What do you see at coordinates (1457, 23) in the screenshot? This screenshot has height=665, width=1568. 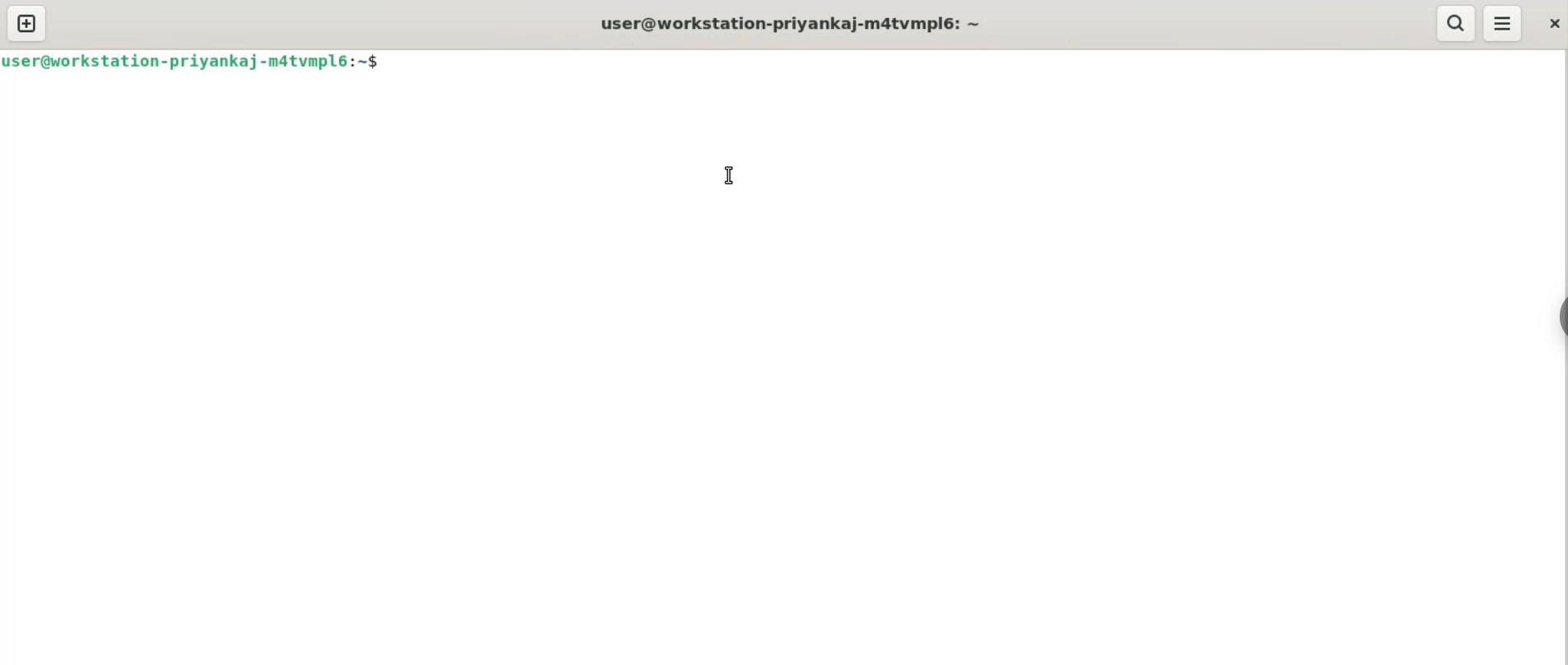 I see `search` at bounding box center [1457, 23].